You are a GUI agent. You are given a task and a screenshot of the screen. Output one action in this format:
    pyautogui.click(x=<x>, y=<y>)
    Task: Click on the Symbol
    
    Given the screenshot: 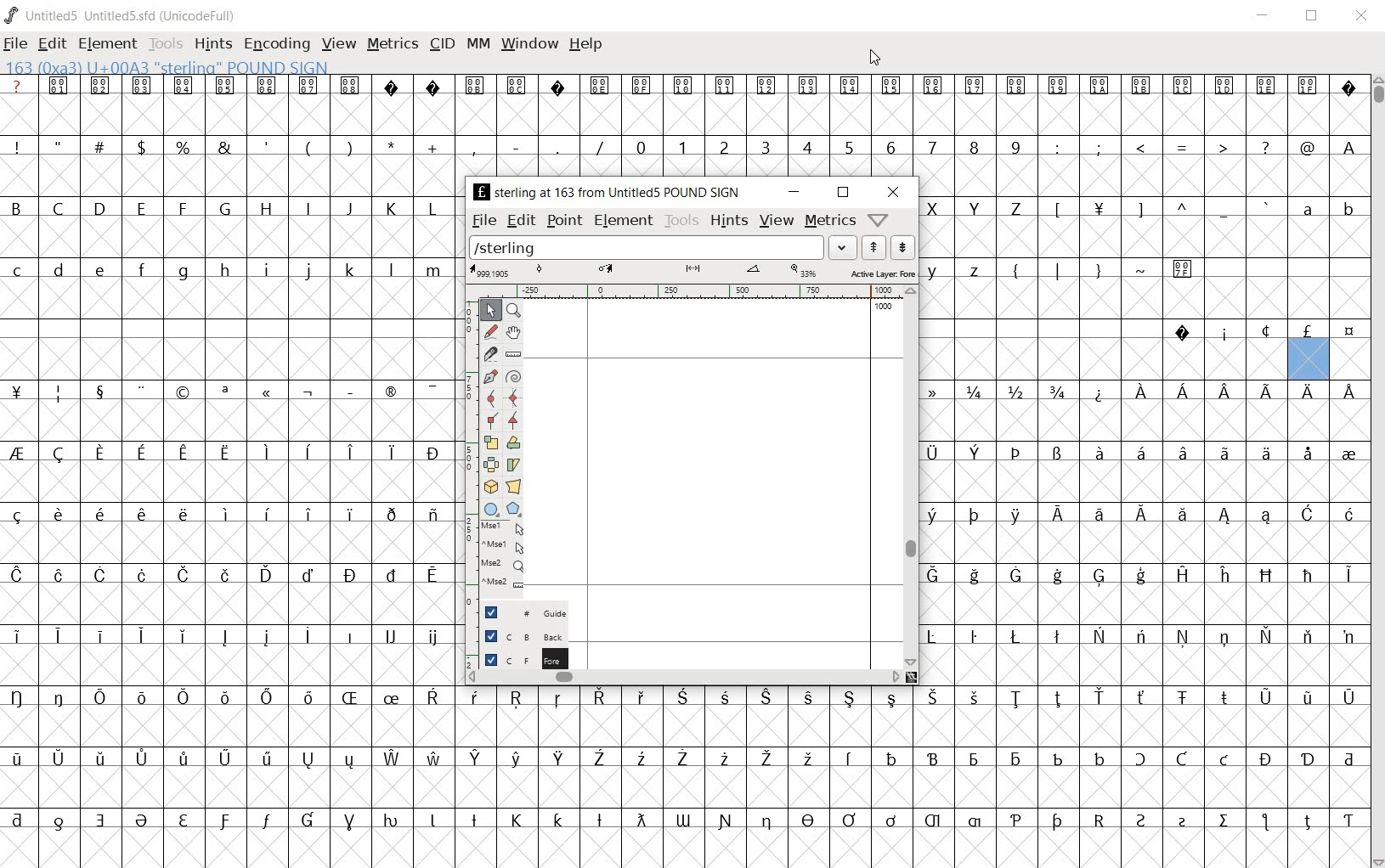 What is the action you would take?
    pyautogui.click(x=975, y=759)
    